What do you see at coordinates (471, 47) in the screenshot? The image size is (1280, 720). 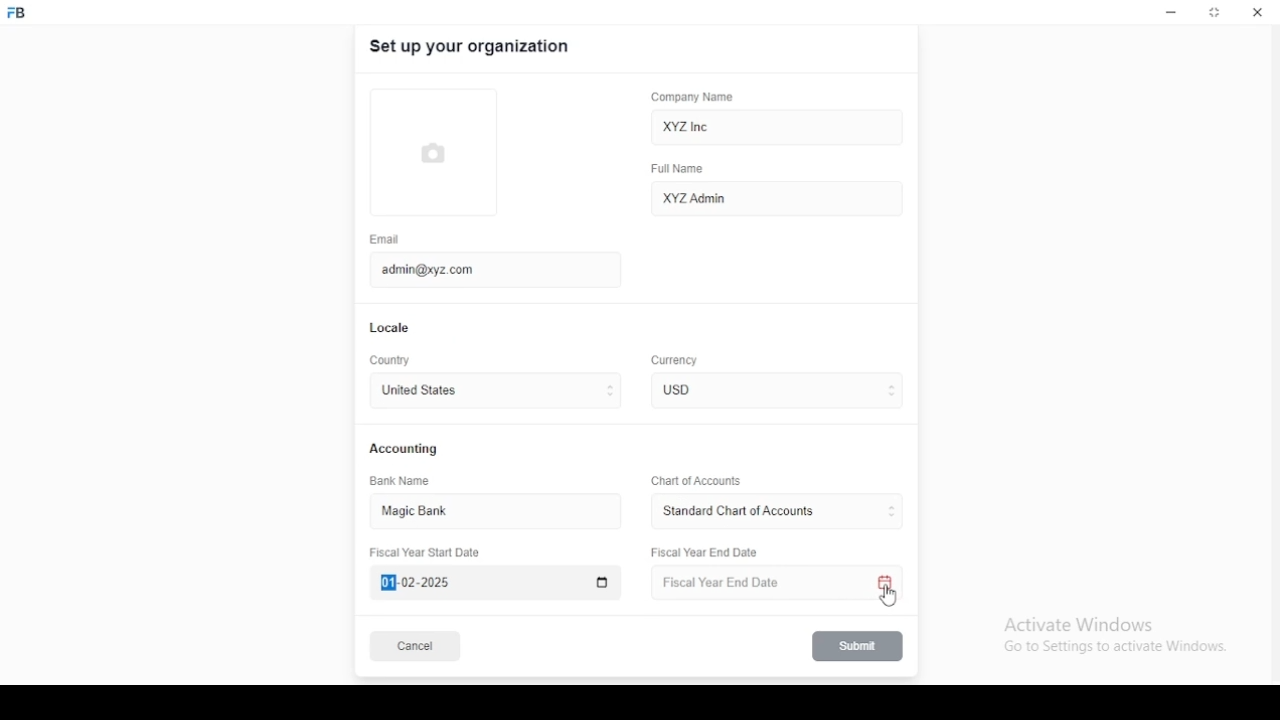 I see `set up your organization` at bounding box center [471, 47].